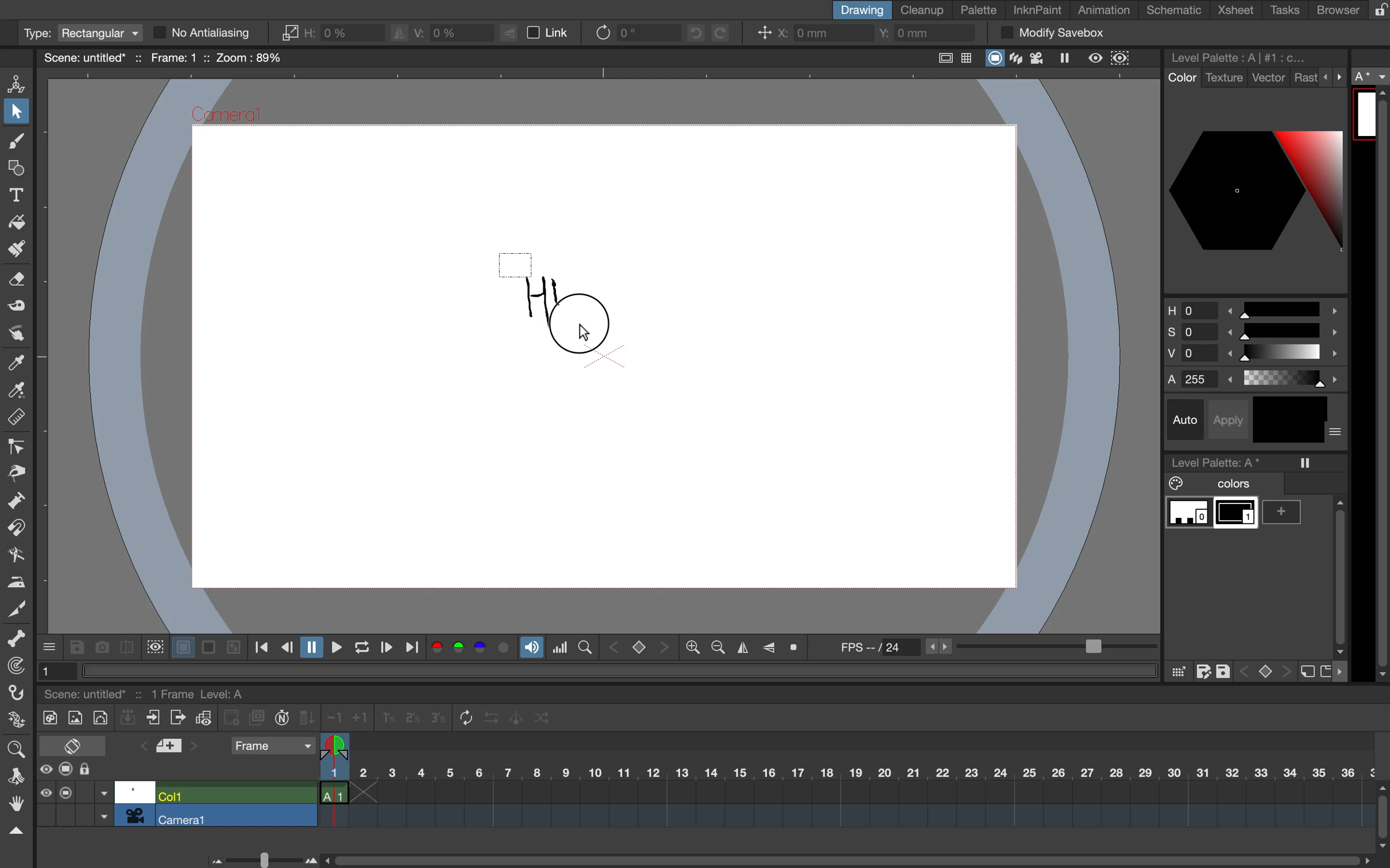 This screenshot has height=868, width=1390. What do you see at coordinates (921, 34) in the screenshot?
I see `y coordinate` at bounding box center [921, 34].